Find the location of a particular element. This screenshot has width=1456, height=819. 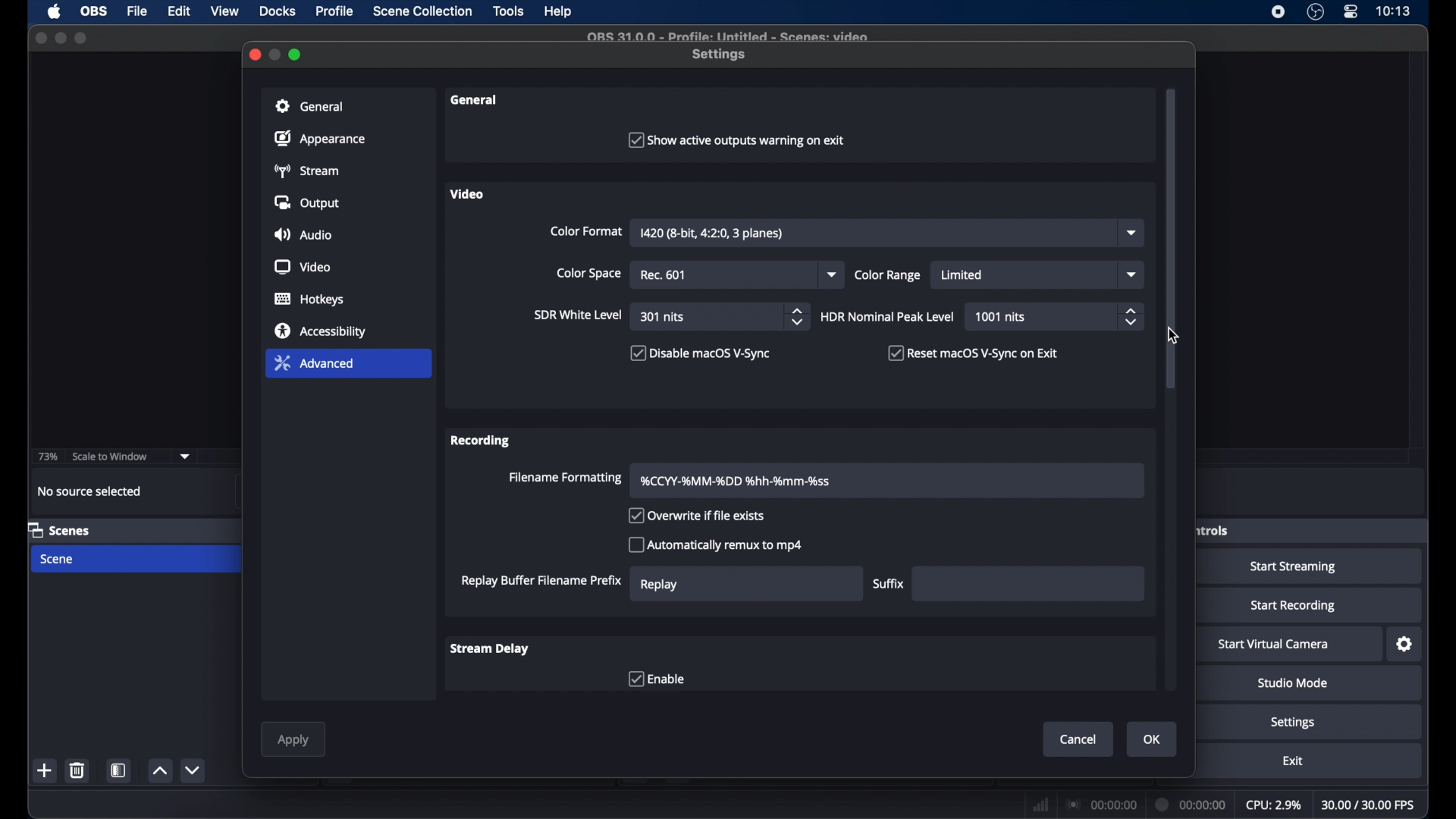

add is located at coordinates (45, 770).